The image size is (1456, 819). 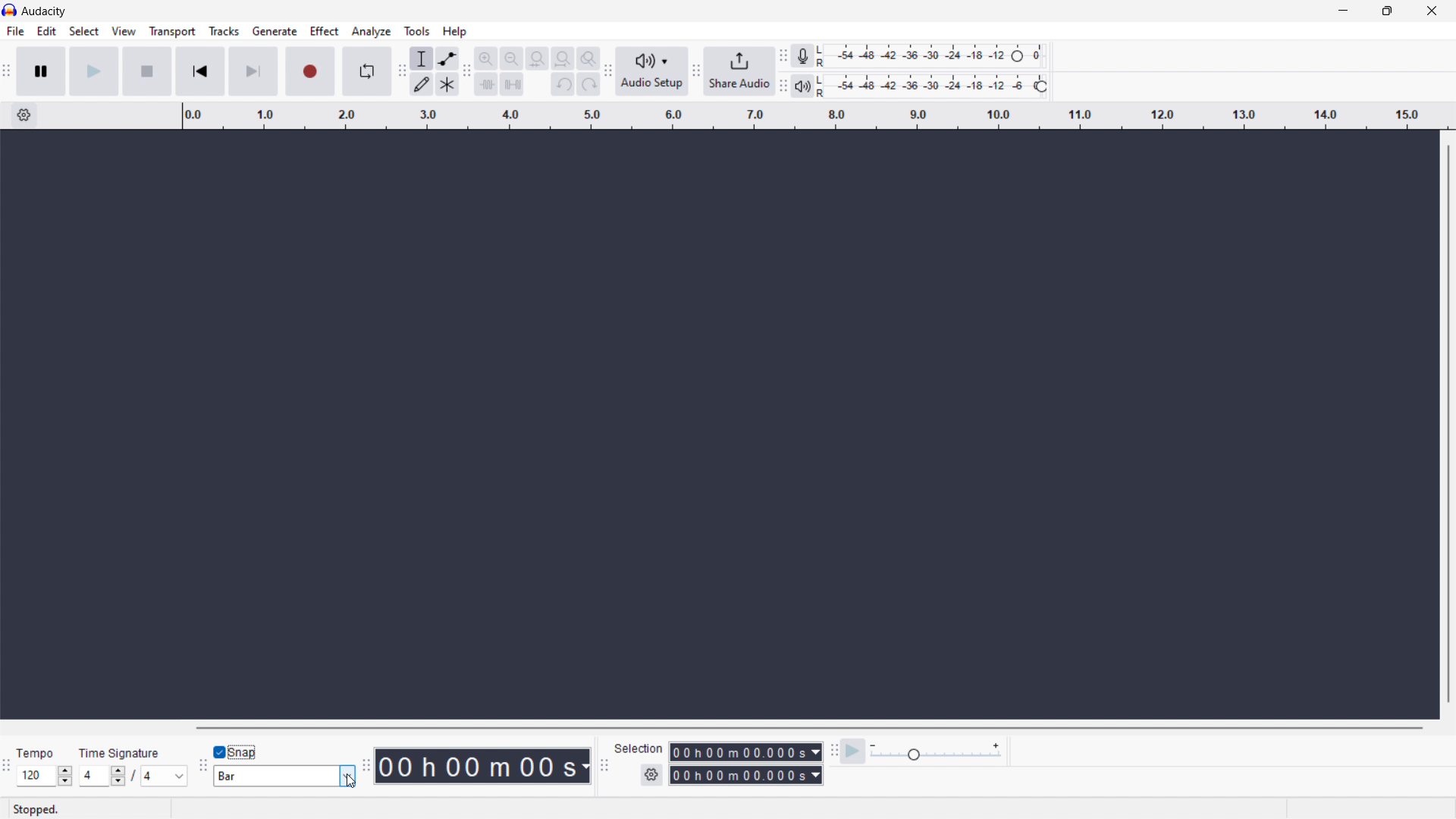 What do you see at coordinates (284, 776) in the screenshot?
I see `set bar` at bounding box center [284, 776].